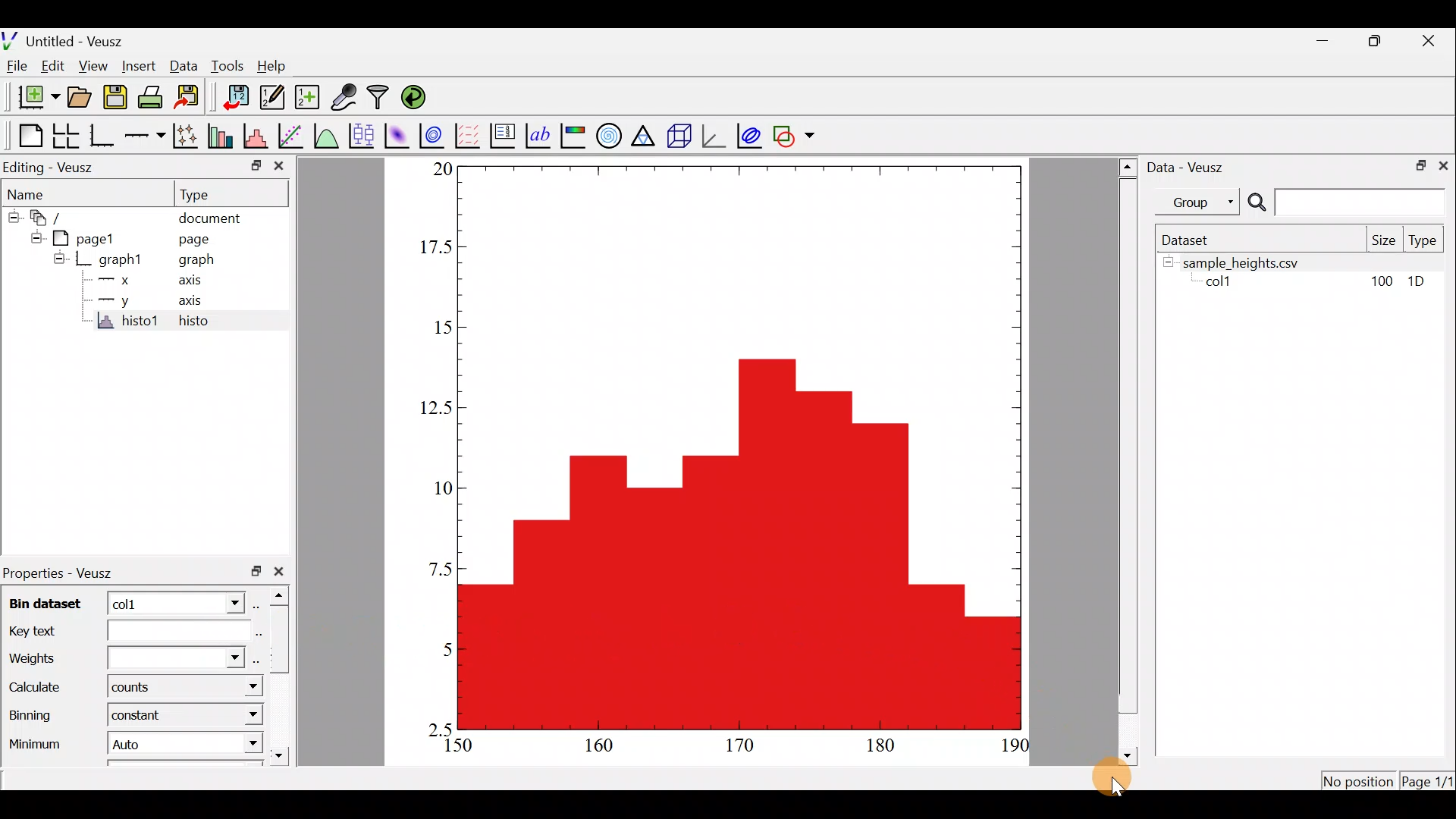 This screenshot has width=1456, height=819. I want to click on 20, so click(438, 170).